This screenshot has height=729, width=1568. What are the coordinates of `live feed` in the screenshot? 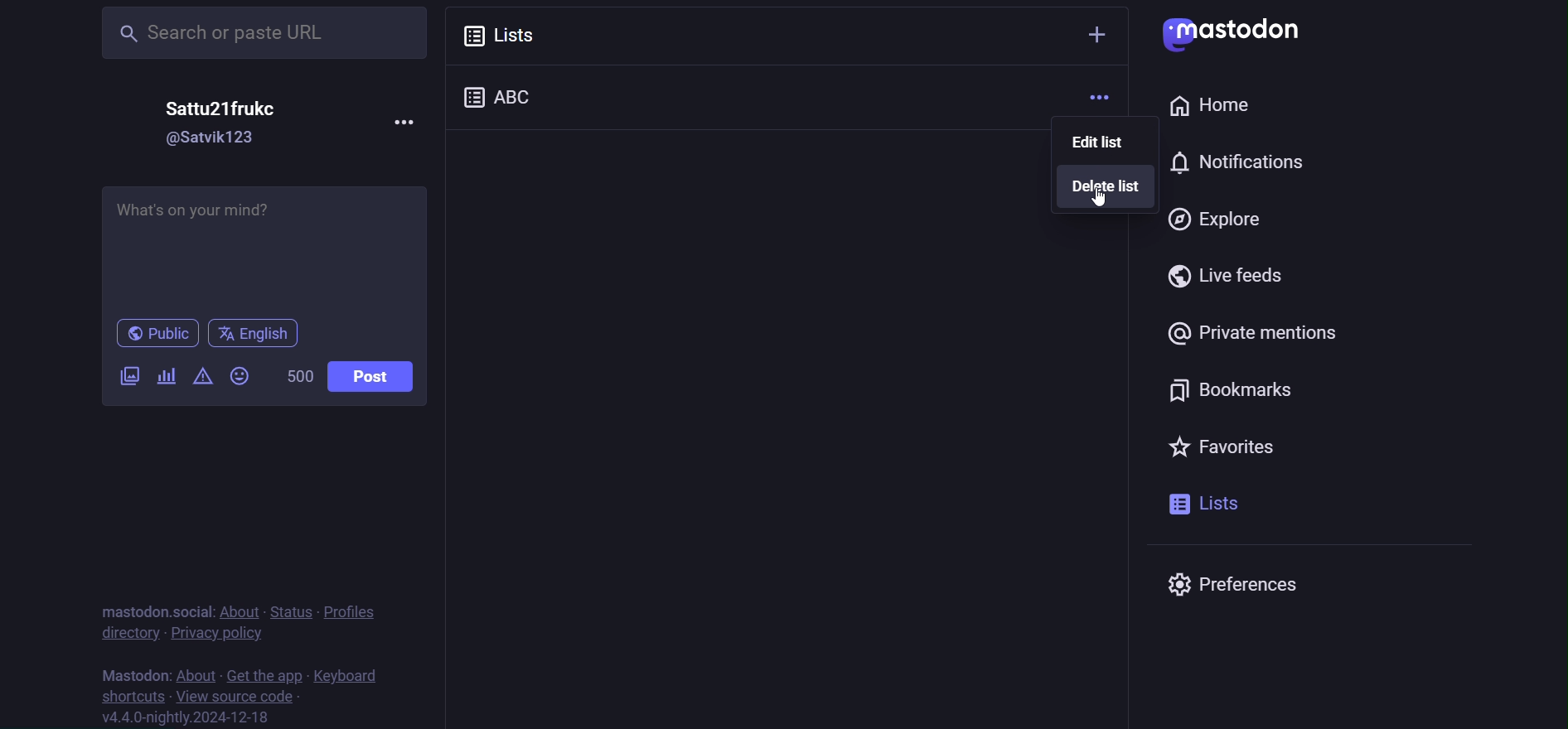 It's located at (1233, 276).